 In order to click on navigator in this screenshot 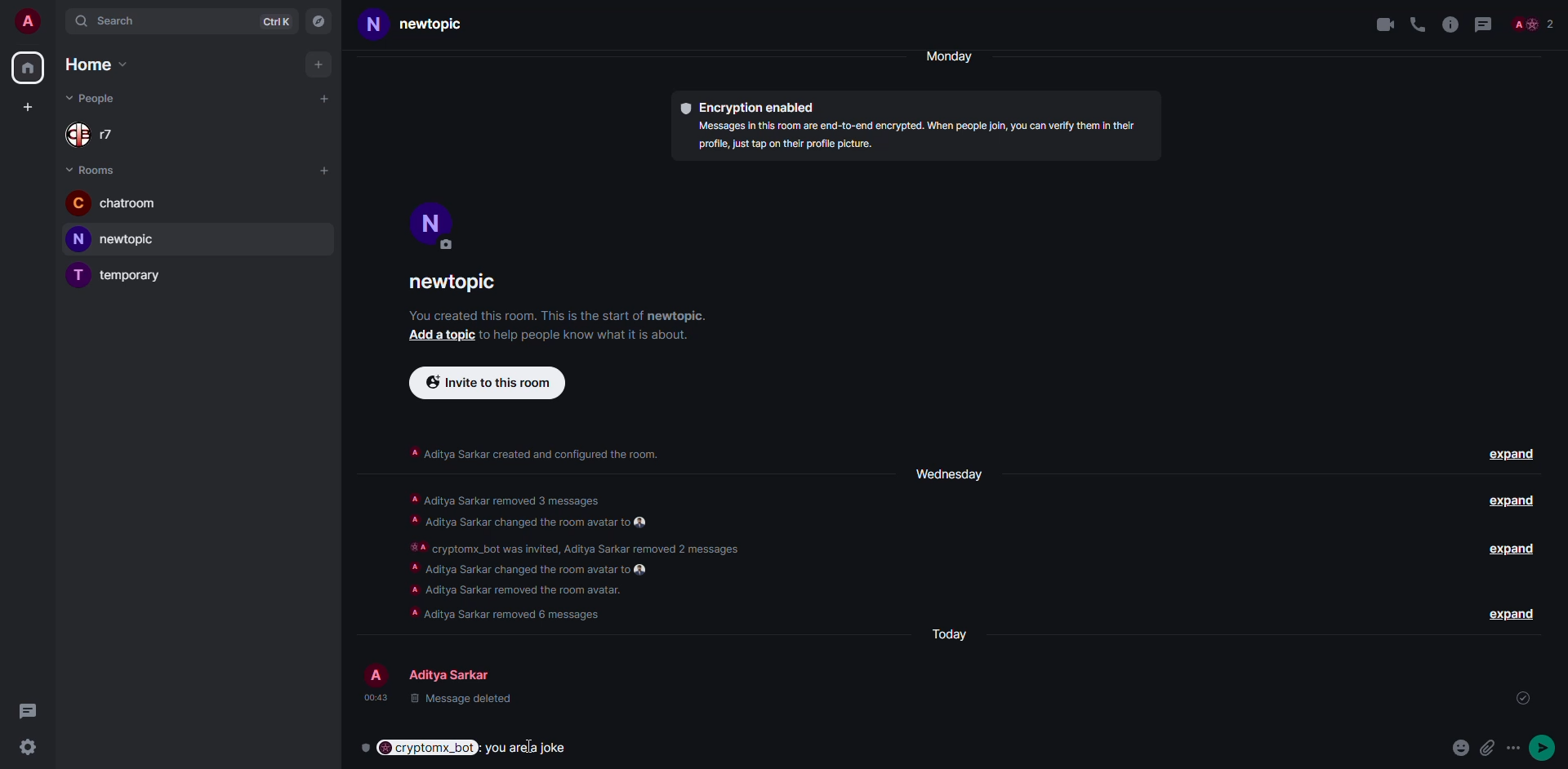, I will do `click(320, 21)`.